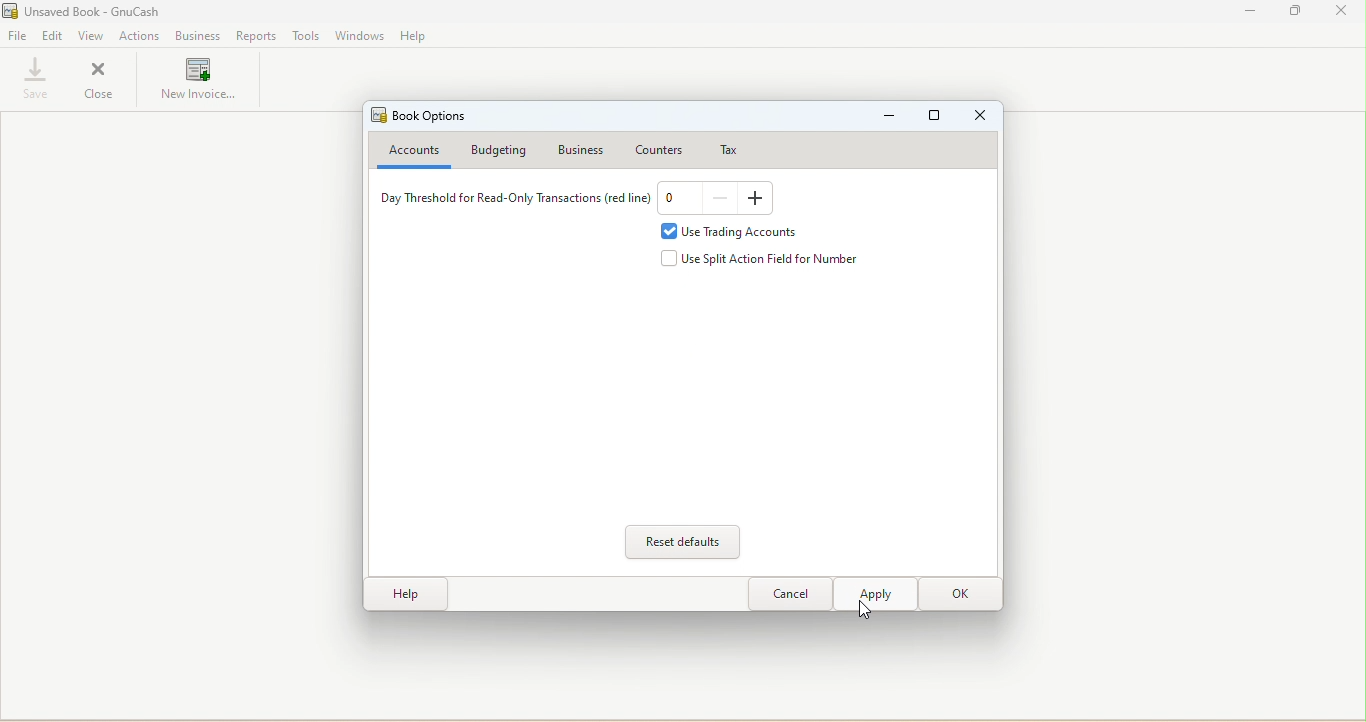 This screenshot has width=1366, height=722. What do you see at coordinates (141, 36) in the screenshot?
I see `Actions` at bounding box center [141, 36].